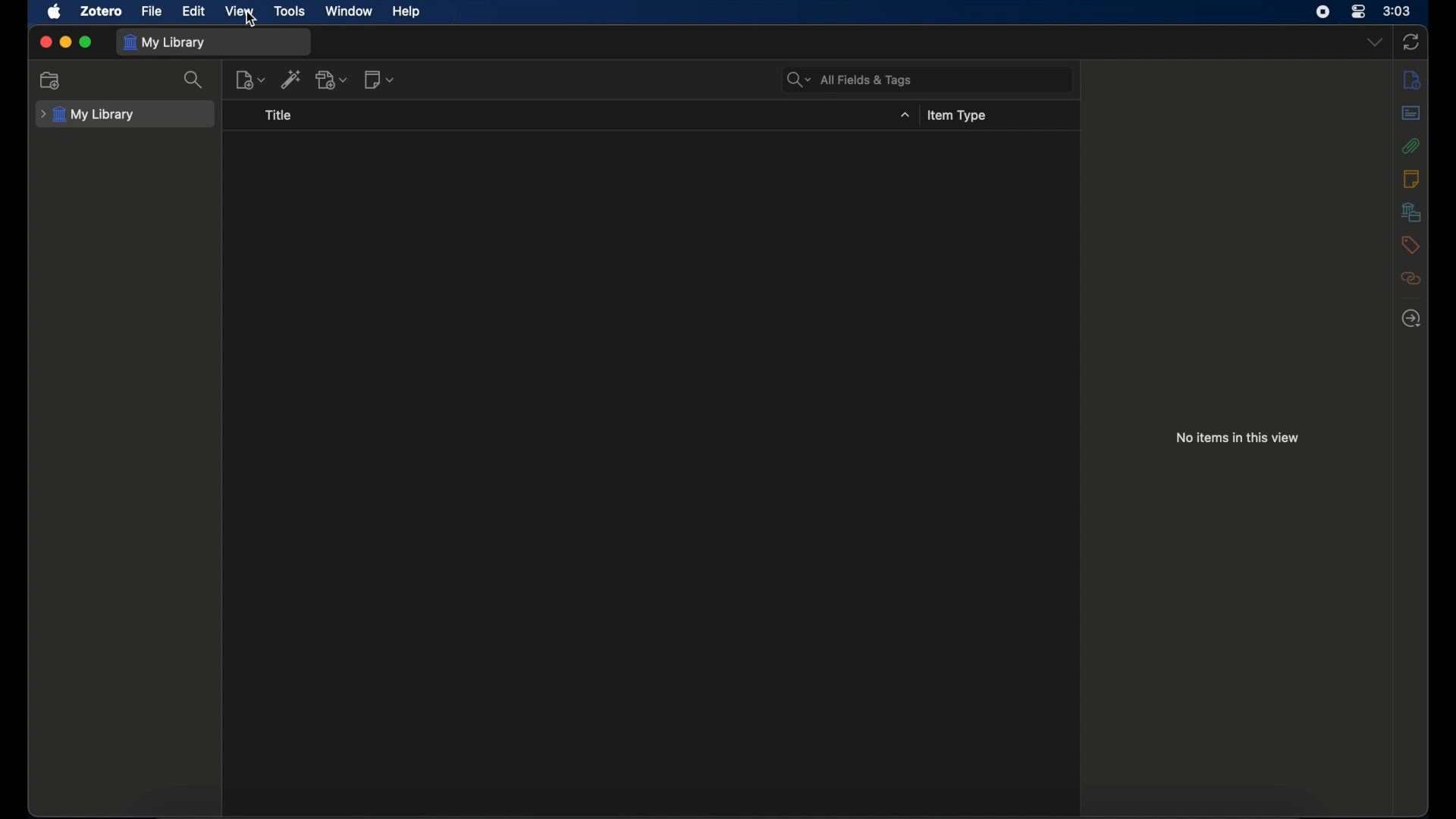  What do you see at coordinates (193, 11) in the screenshot?
I see `edit` at bounding box center [193, 11].